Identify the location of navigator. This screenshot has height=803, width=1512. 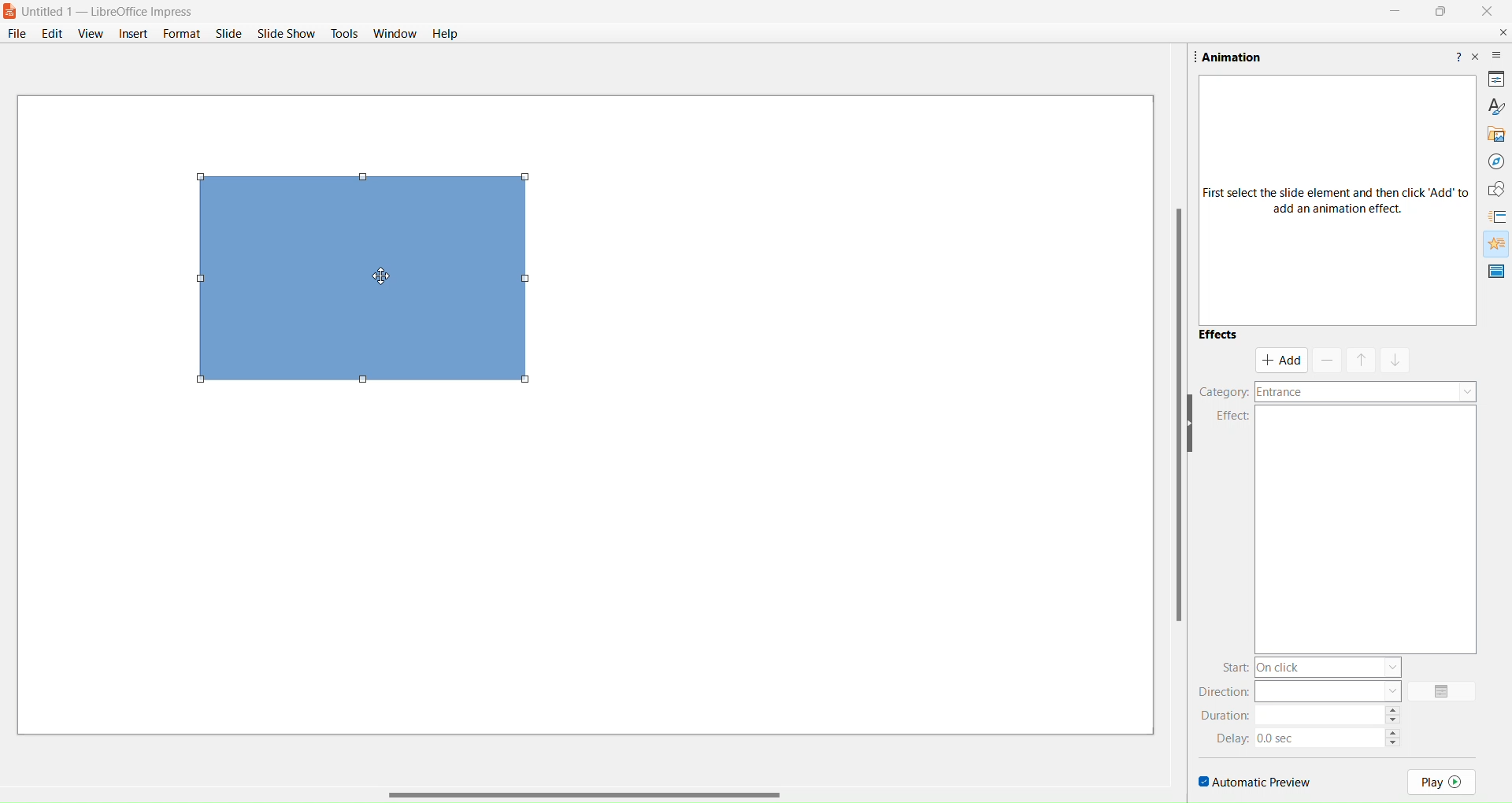
(1495, 161).